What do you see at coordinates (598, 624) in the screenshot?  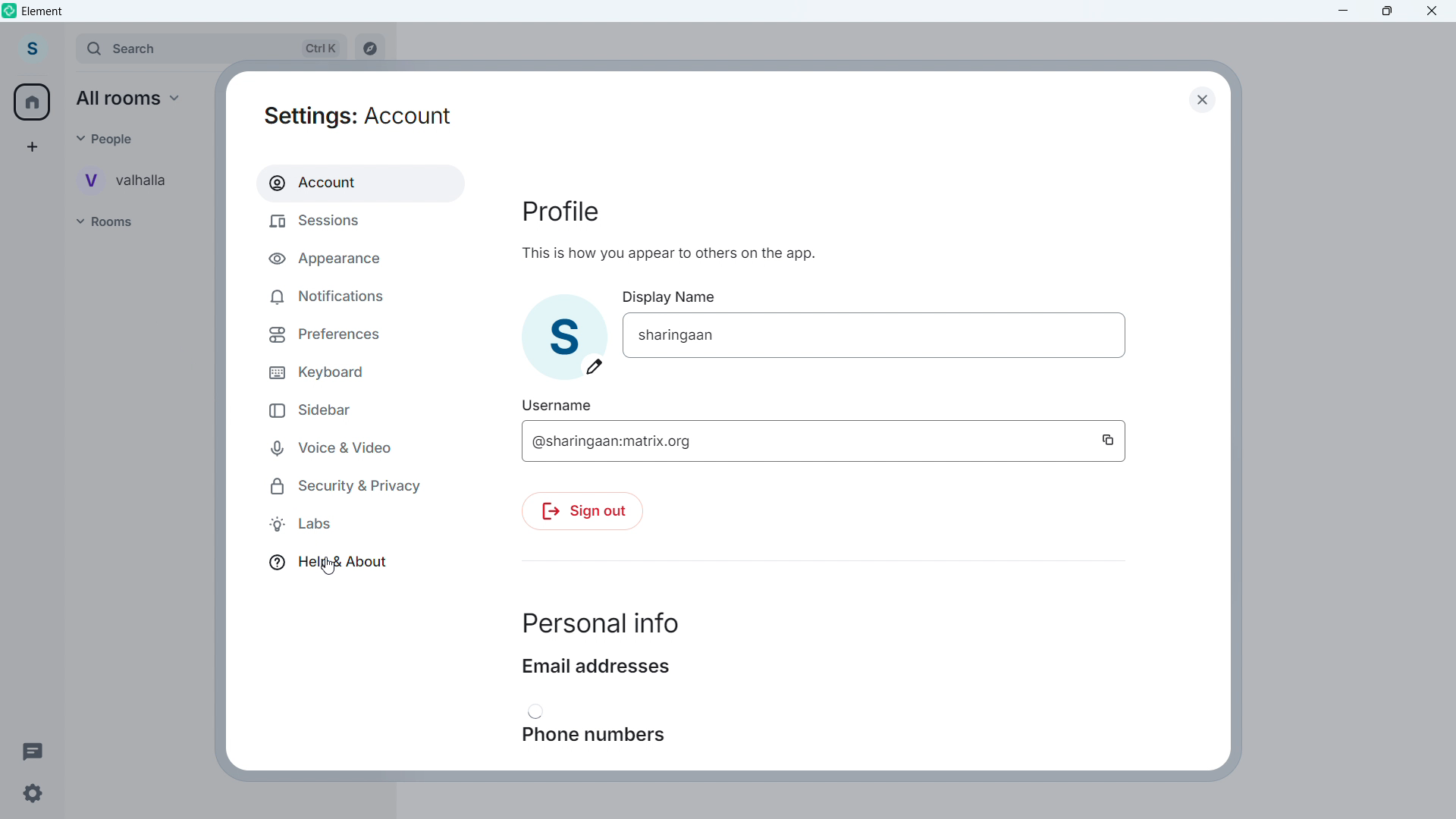 I see `Personal info ` at bounding box center [598, 624].